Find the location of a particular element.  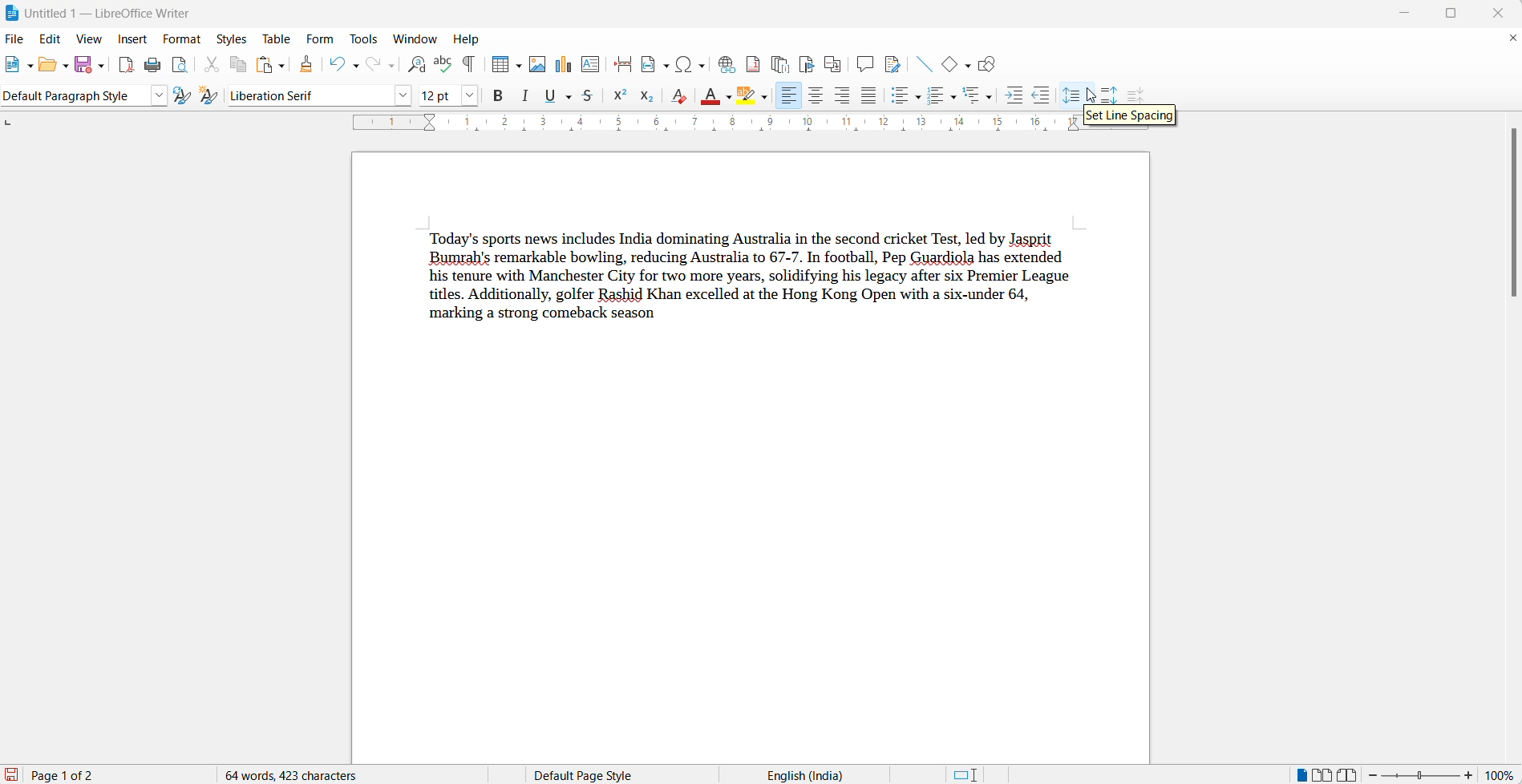

64 words 423 characters  is located at coordinates (300, 774).